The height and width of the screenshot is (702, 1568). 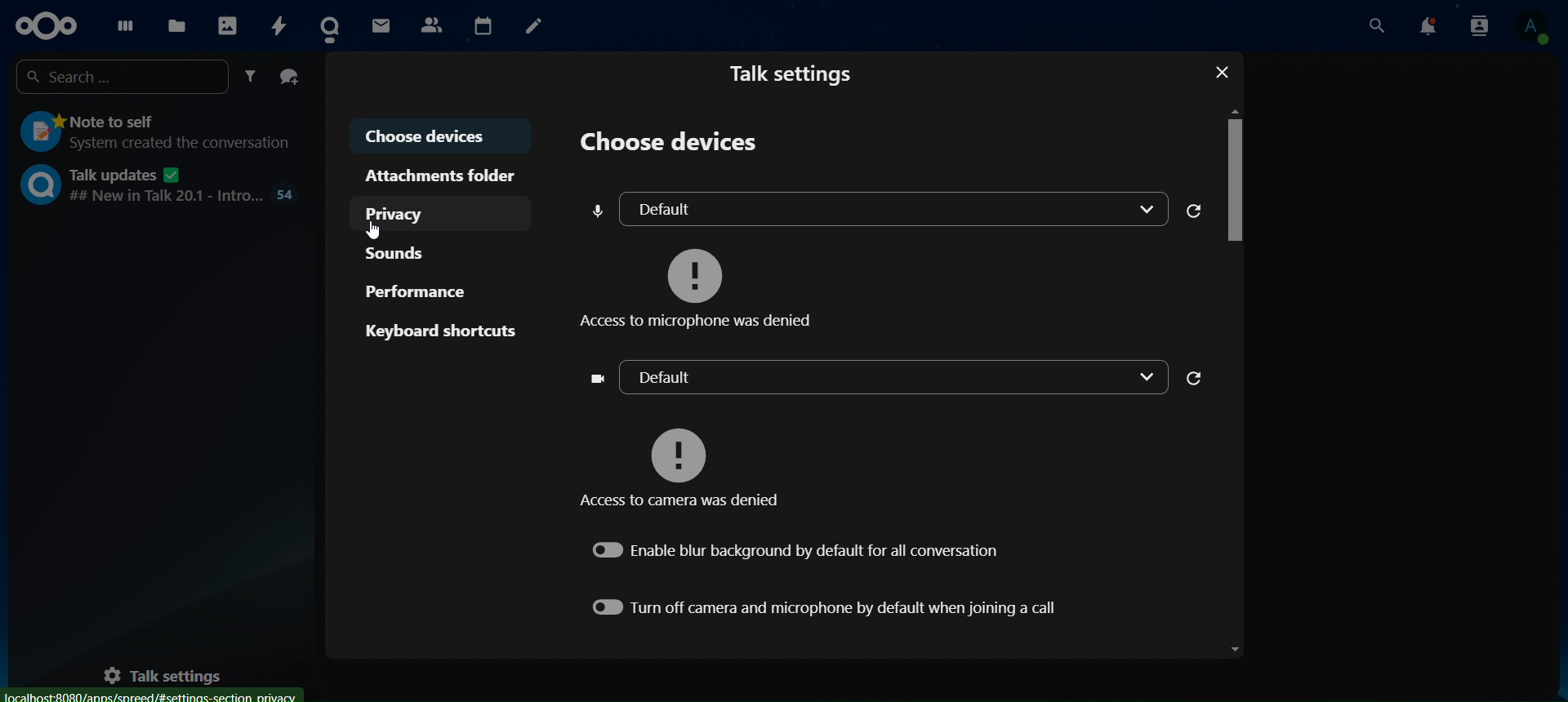 I want to click on sounds, so click(x=406, y=251).